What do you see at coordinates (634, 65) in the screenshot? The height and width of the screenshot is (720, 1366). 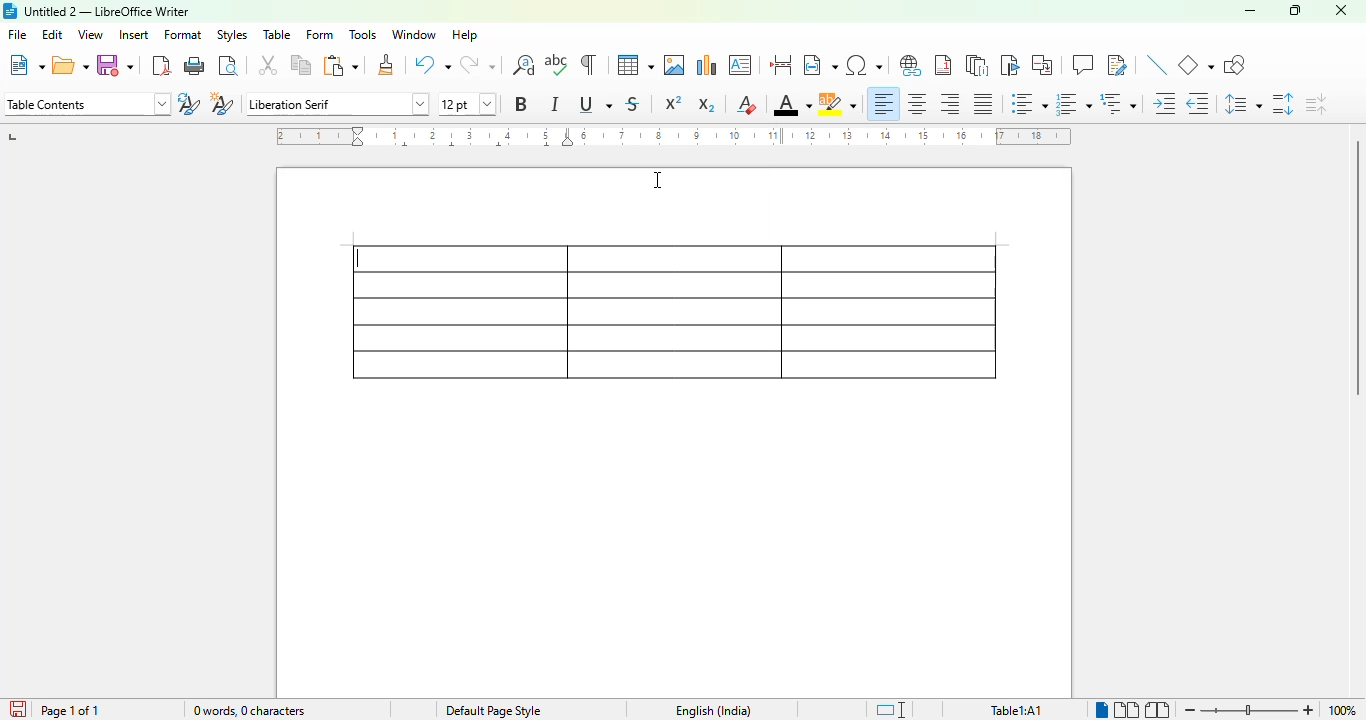 I see `table` at bounding box center [634, 65].